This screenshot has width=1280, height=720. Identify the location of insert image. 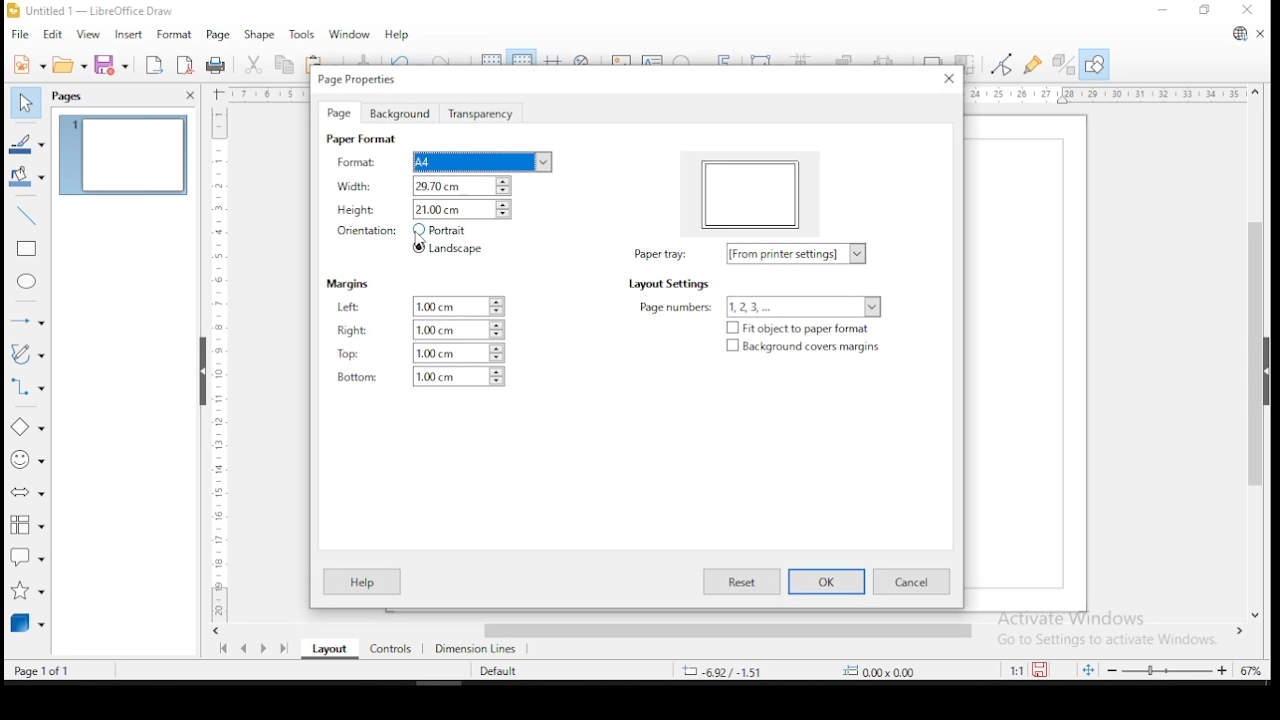
(623, 57).